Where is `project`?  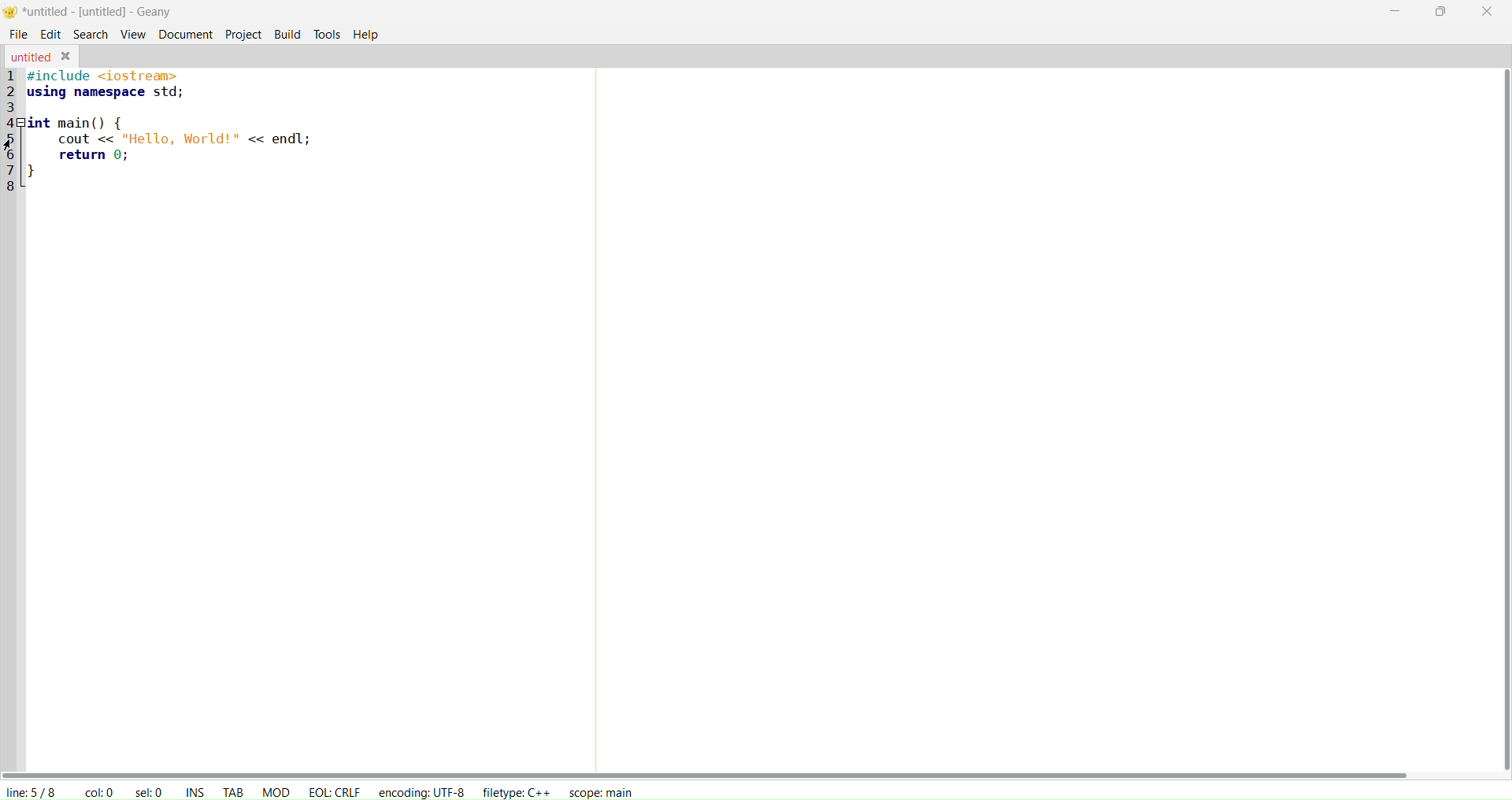
project is located at coordinates (242, 34).